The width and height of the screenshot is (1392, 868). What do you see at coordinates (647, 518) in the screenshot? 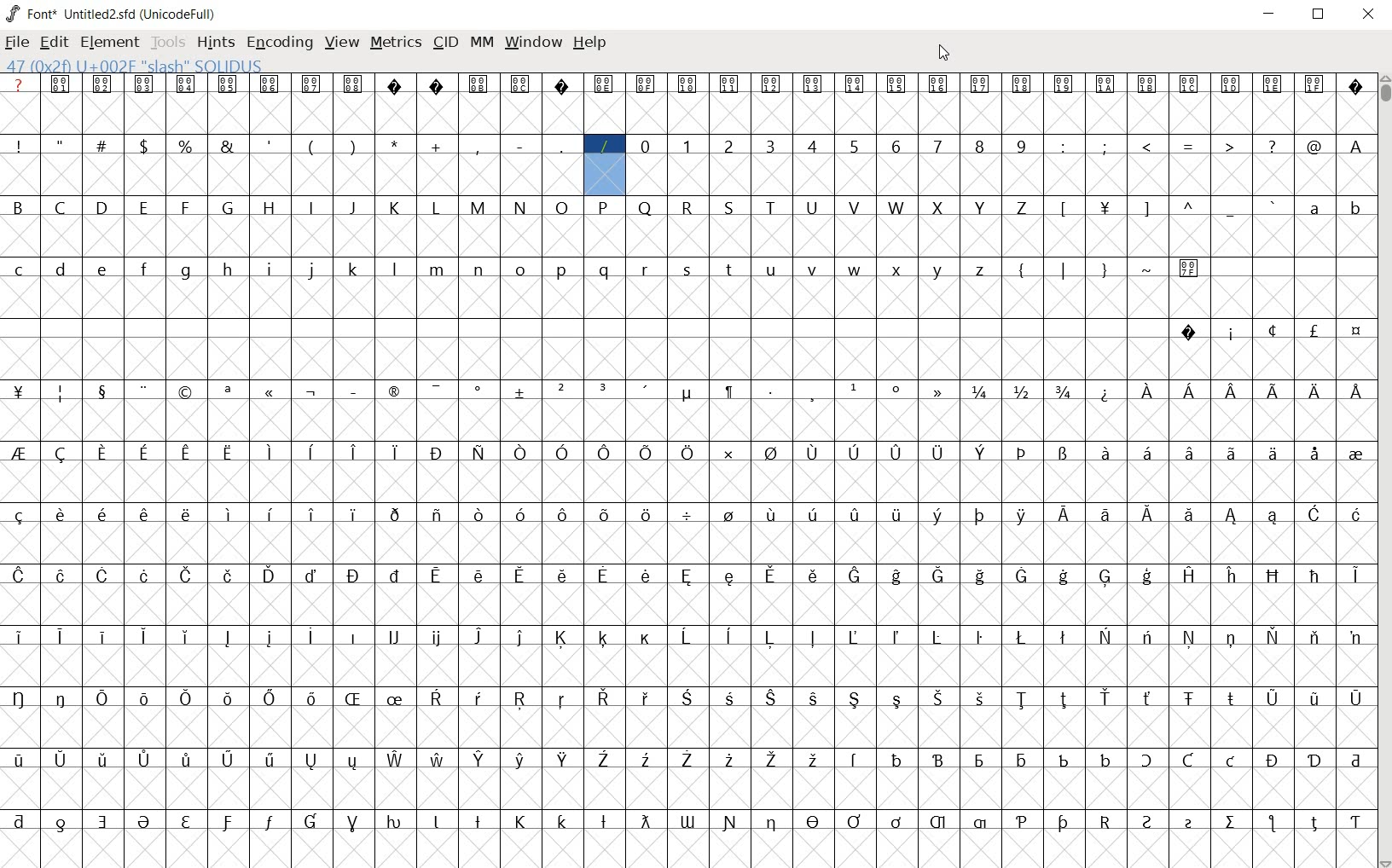
I see `glyph` at bounding box center [647, 518].